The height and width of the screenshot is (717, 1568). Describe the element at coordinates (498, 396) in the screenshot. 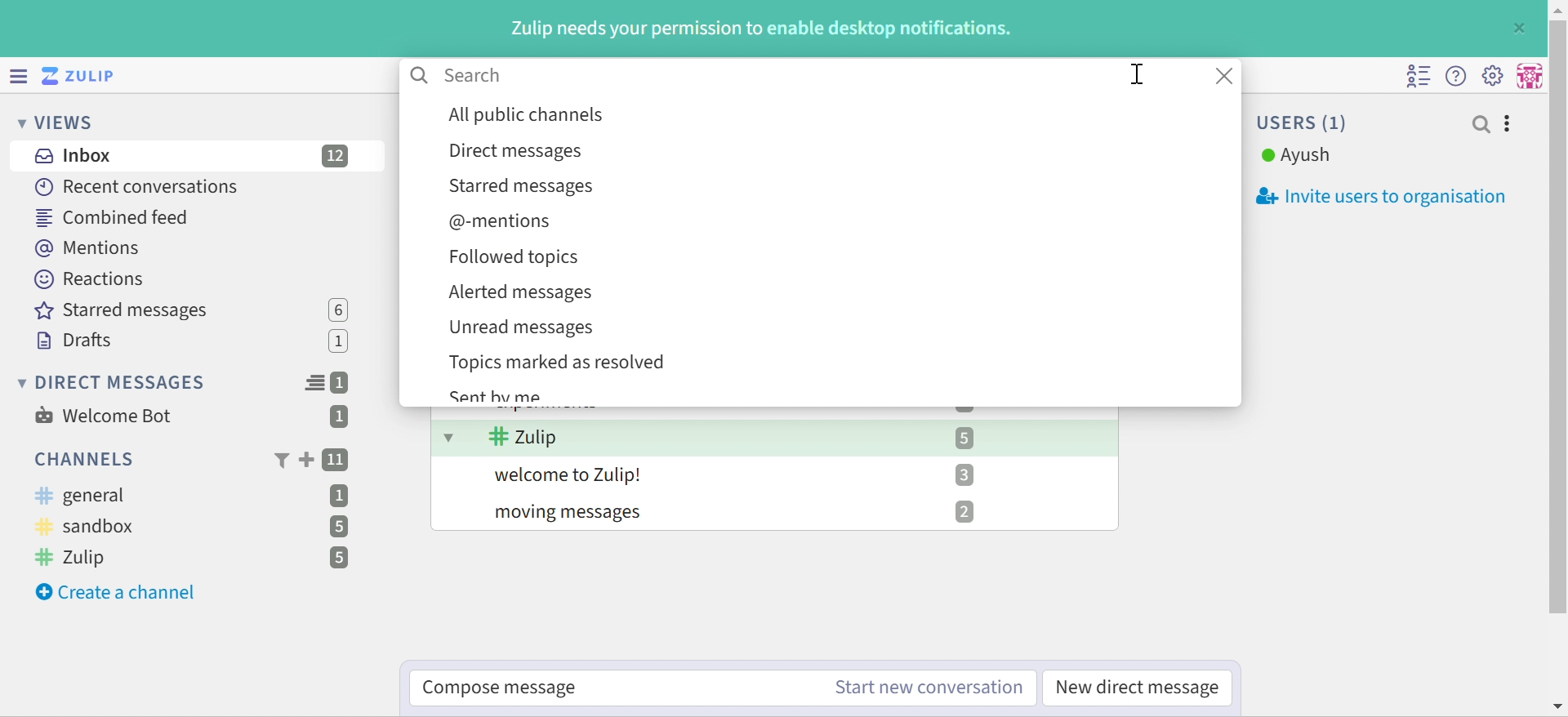

I see `Sent by me` at that location.